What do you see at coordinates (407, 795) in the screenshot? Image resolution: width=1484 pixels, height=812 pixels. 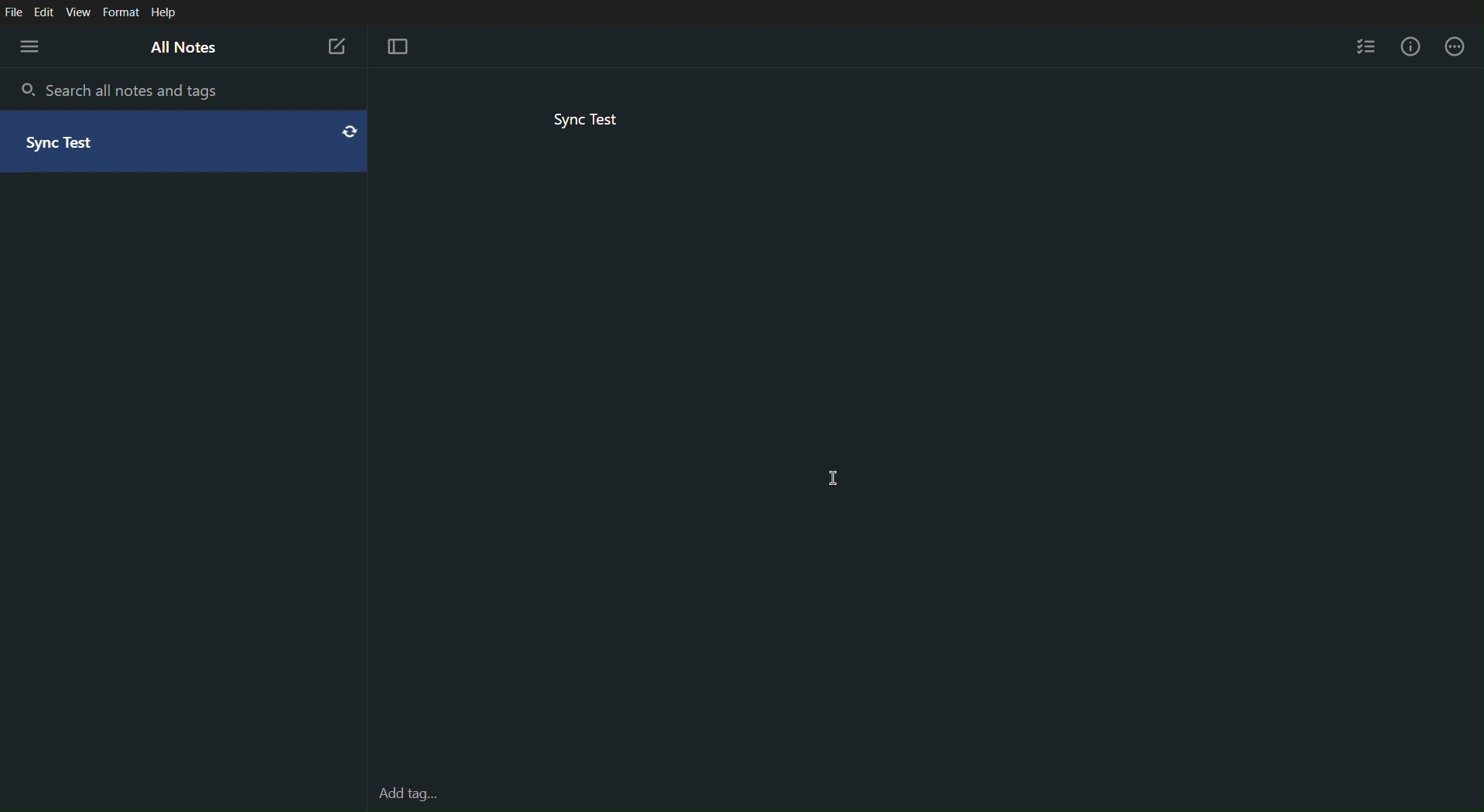 I see `Add Tag` at bounding box center [407, 795].